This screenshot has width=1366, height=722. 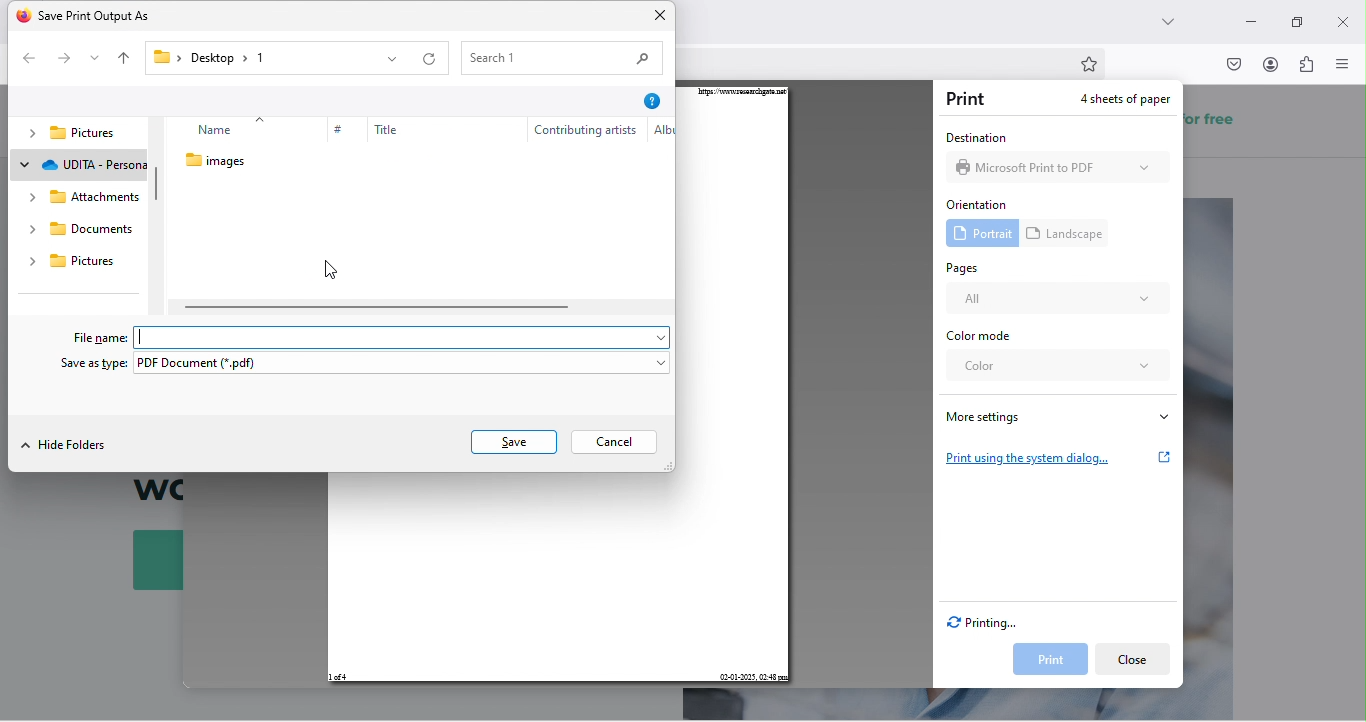 I want to click on save print output as, so click(x=91, y=18).